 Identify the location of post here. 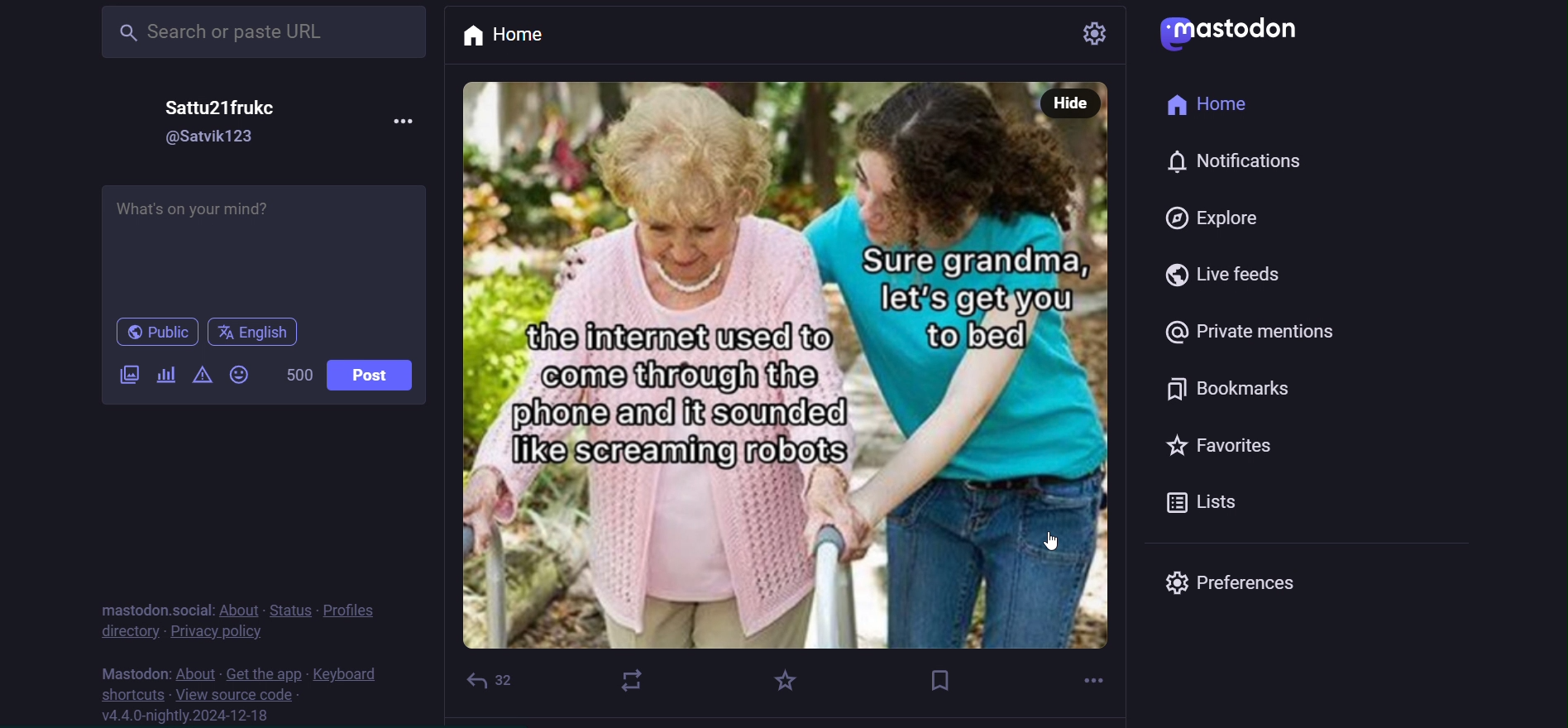
(264, 246).